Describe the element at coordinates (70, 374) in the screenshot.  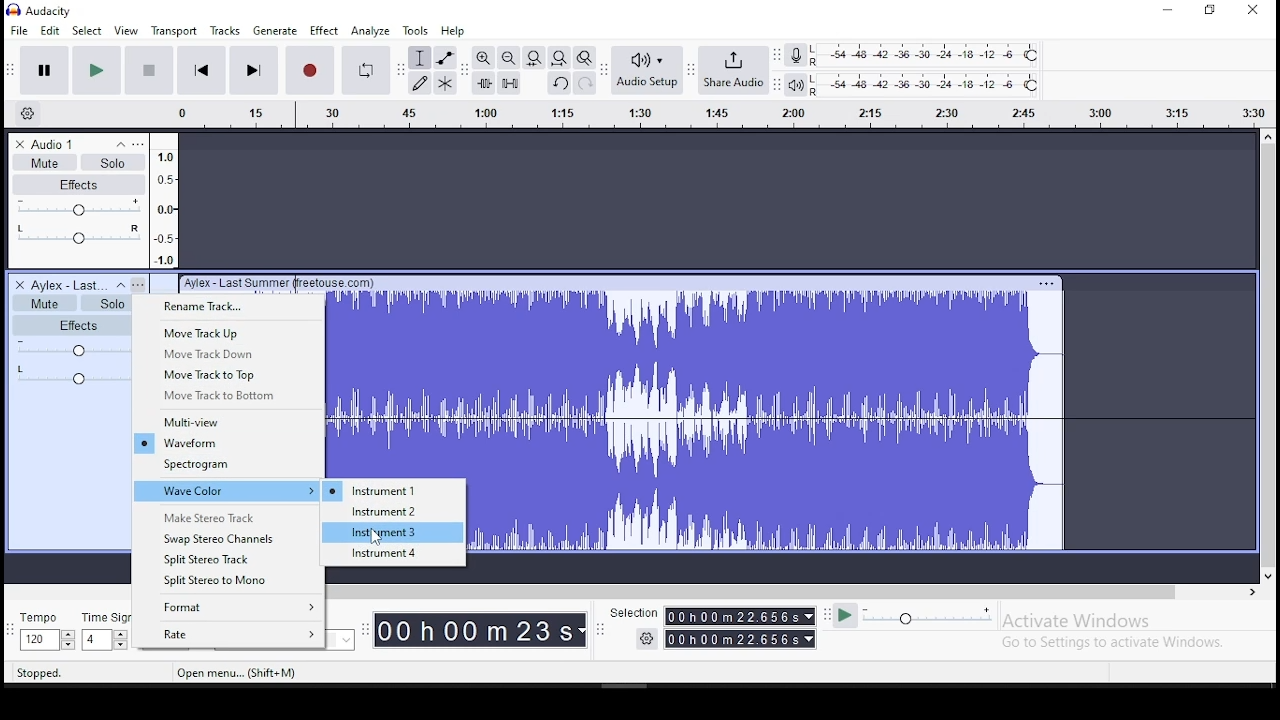
I see `pan` at that location.